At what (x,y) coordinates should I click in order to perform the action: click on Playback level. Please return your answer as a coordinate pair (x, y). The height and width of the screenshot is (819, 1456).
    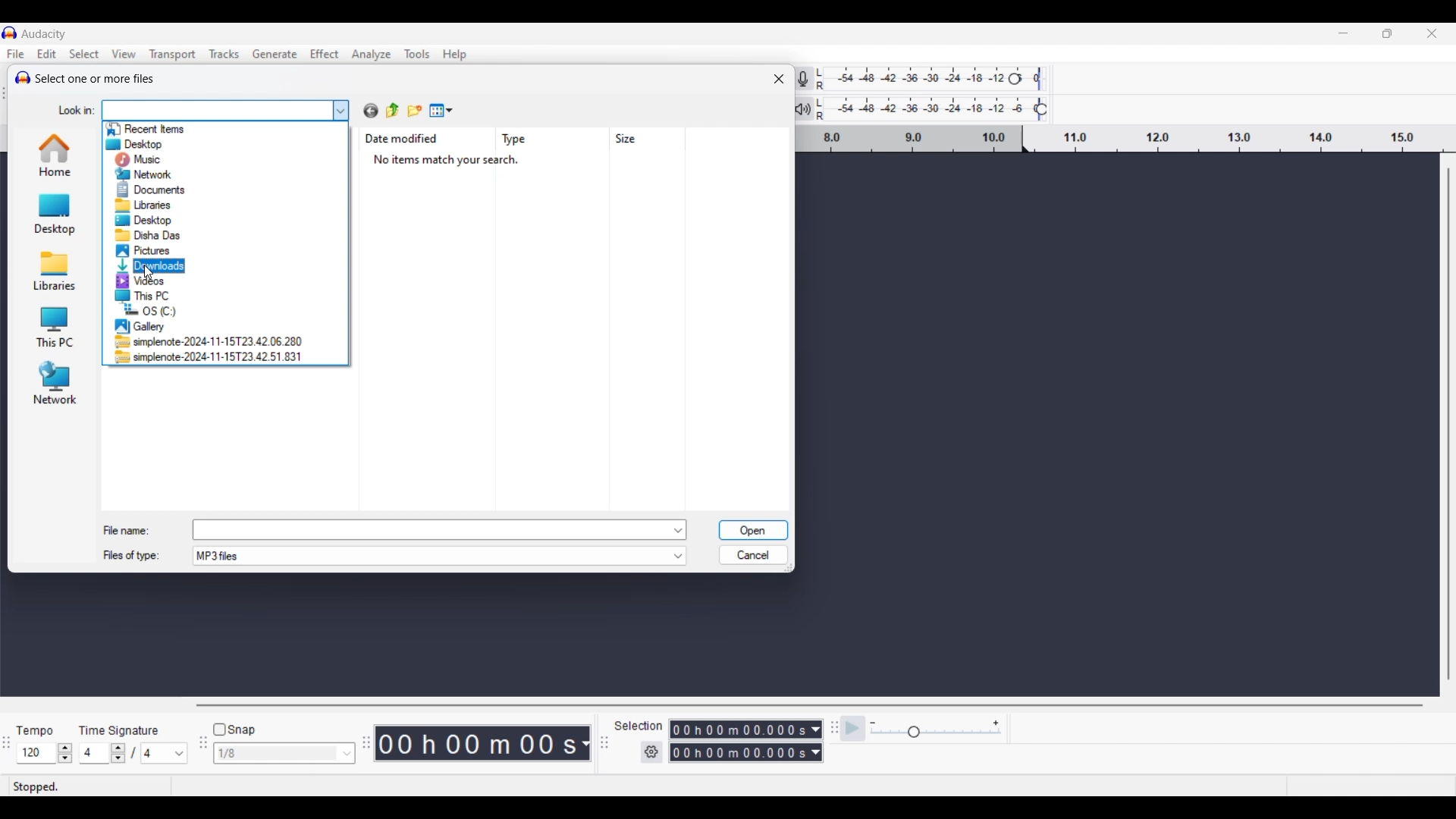
    Looking at the image, I should click on (942, 109).